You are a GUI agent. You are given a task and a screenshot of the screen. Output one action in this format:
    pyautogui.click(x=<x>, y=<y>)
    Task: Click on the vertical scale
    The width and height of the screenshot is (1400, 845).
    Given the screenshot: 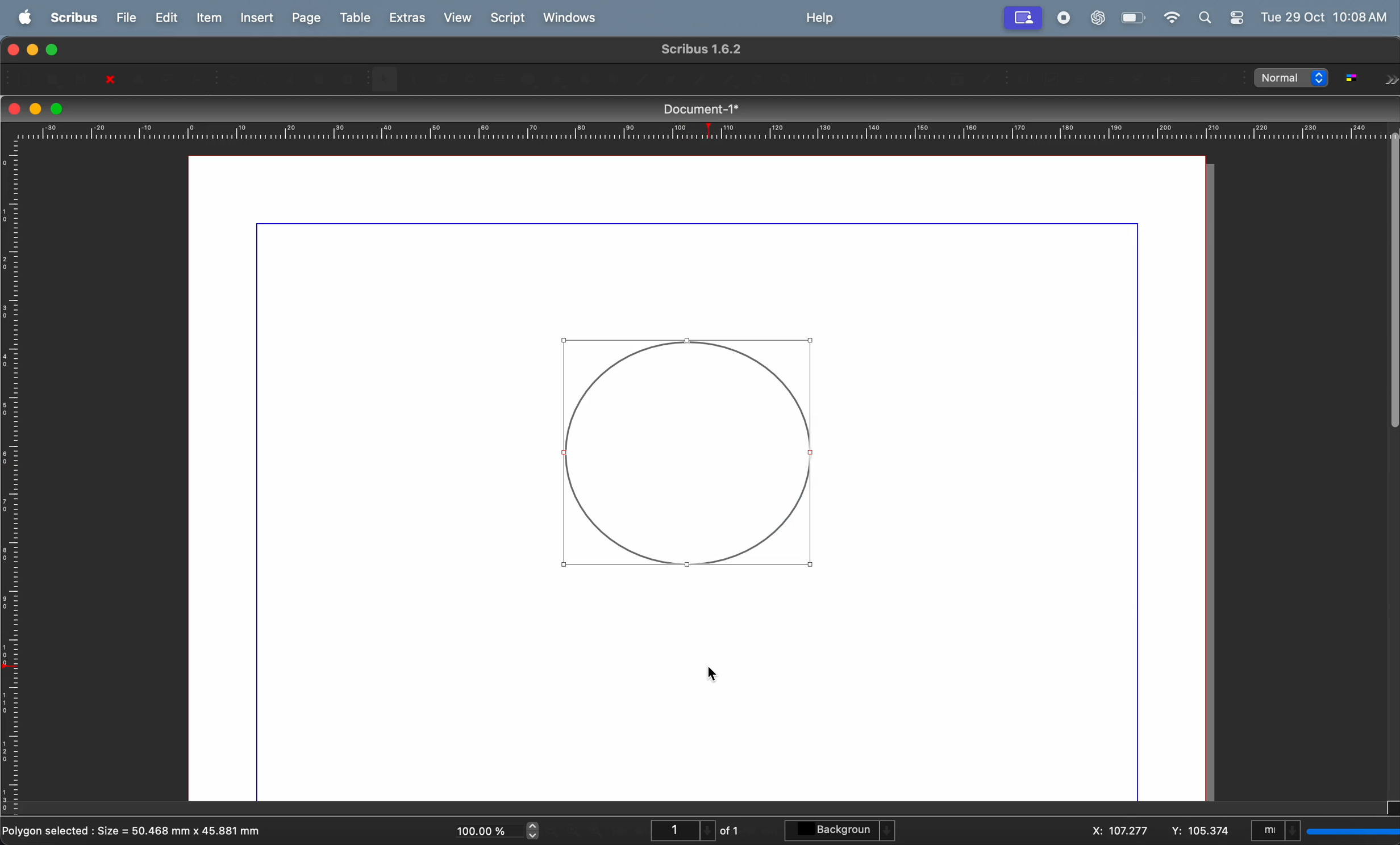 What is the action you would take?
    pyautogui.click(x=14, y=480)
    